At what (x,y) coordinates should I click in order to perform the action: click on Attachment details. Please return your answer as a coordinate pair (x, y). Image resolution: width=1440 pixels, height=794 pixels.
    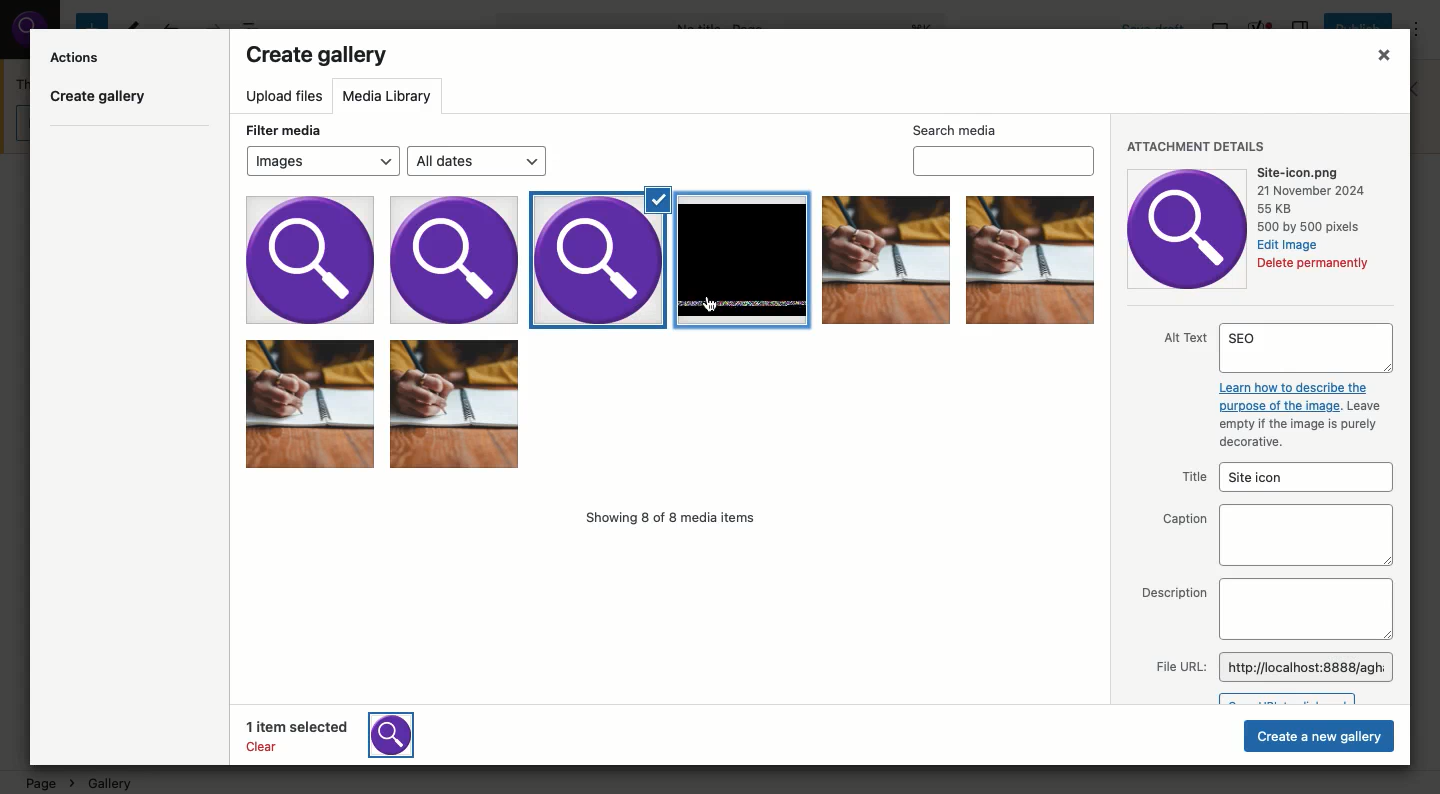
    Looking at the image, I should click on (1188, 227).